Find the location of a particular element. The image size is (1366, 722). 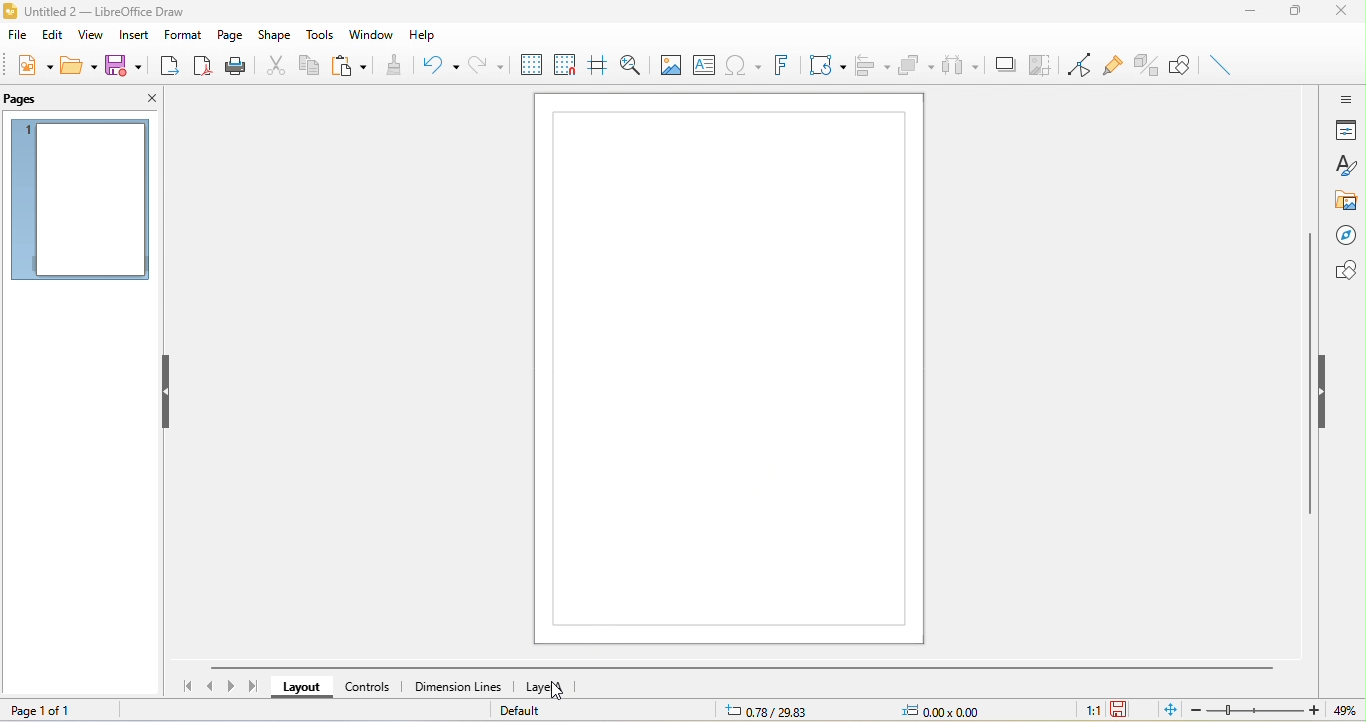

page 1 is located at coordinates (78, 200).